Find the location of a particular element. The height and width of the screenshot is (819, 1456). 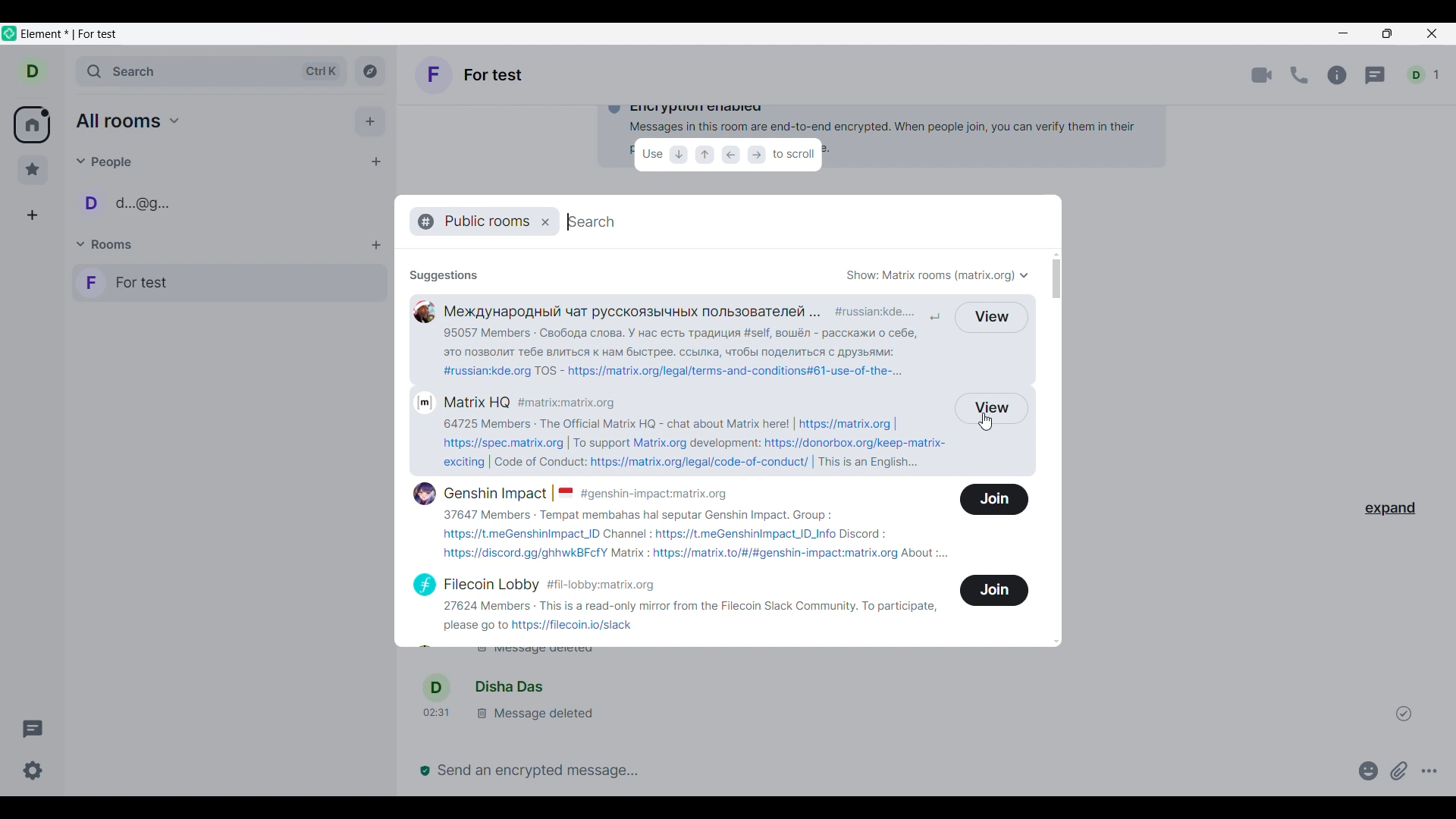

https://t.meGenshinImpact_ID is located at coordinates (519, 535).